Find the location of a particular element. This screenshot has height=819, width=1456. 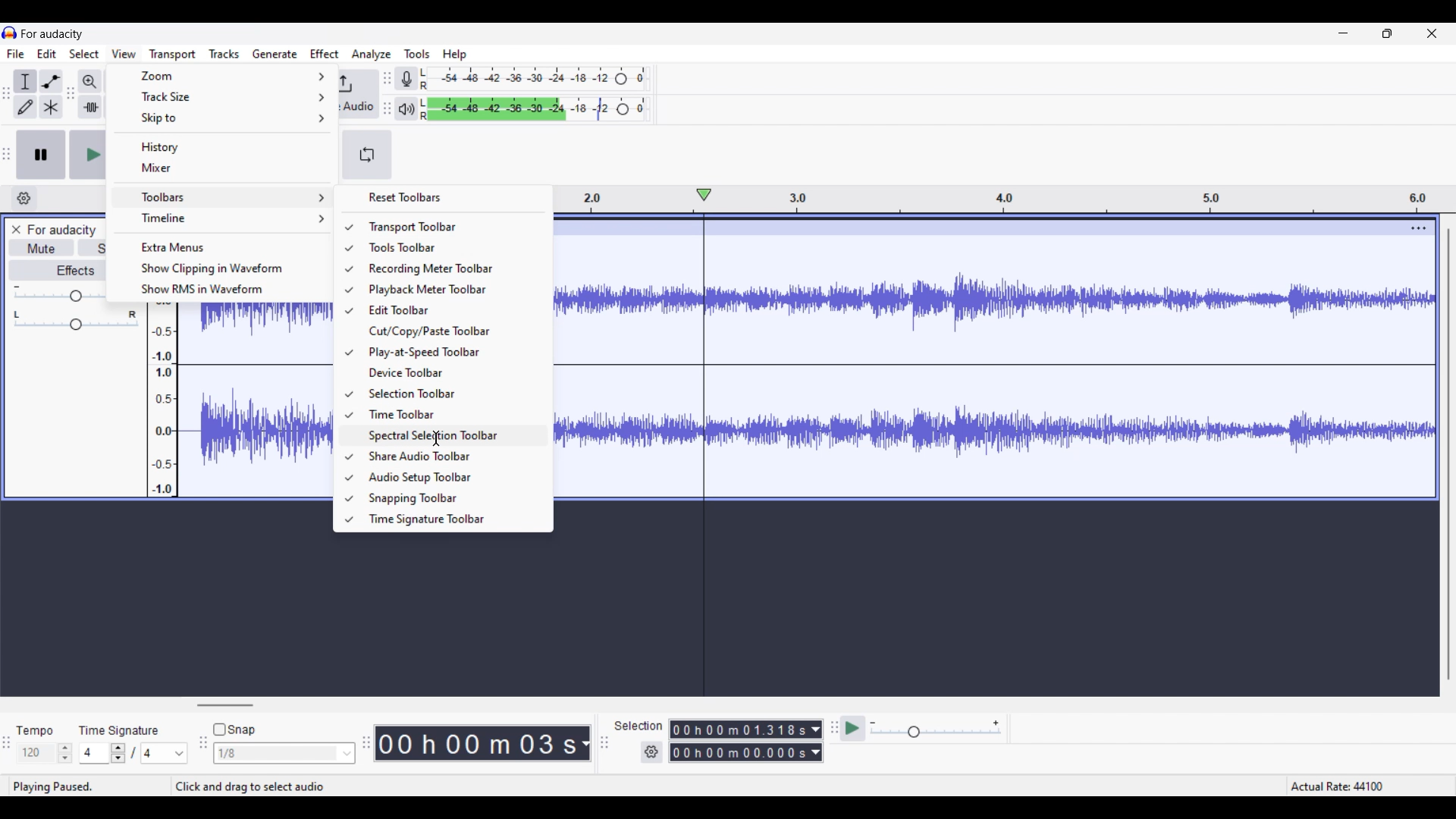

Instractions for cursor is located at coordinates (253, 786).